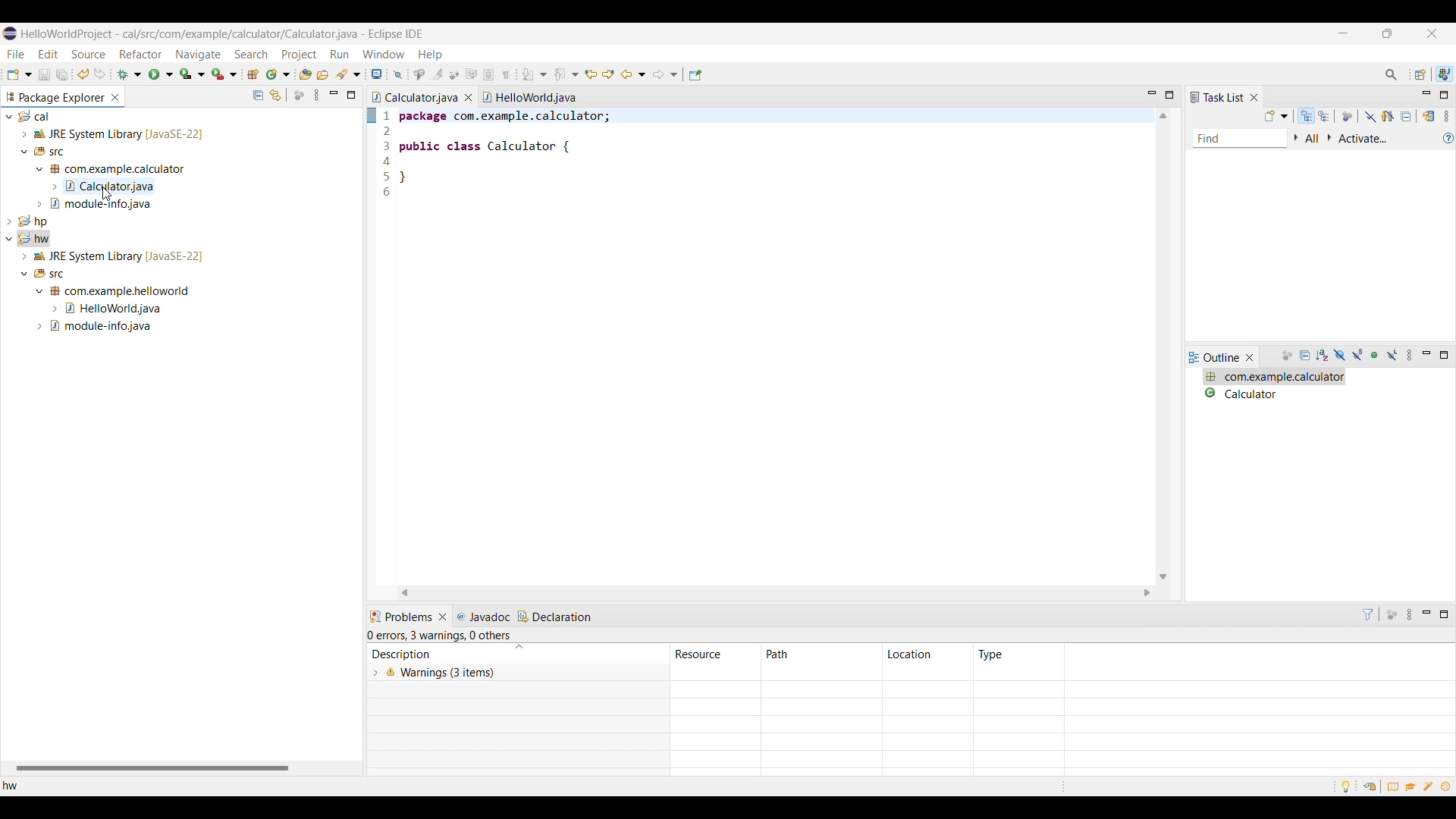 This screenshot has width=1456, height=819. I want to click on Window, so click(384, 54).